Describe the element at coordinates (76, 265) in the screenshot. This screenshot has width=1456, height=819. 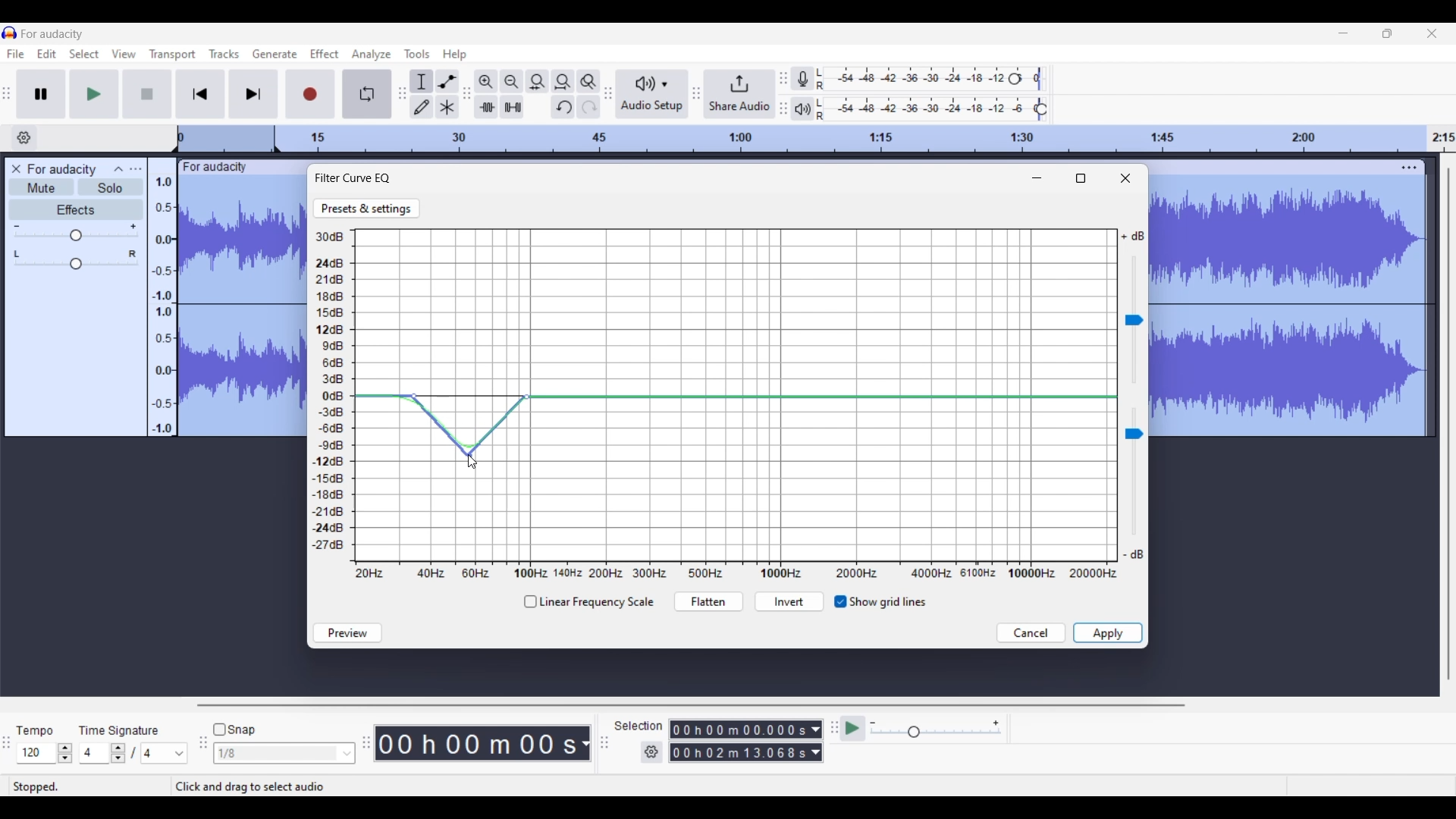
I see `Change pan` at that location.